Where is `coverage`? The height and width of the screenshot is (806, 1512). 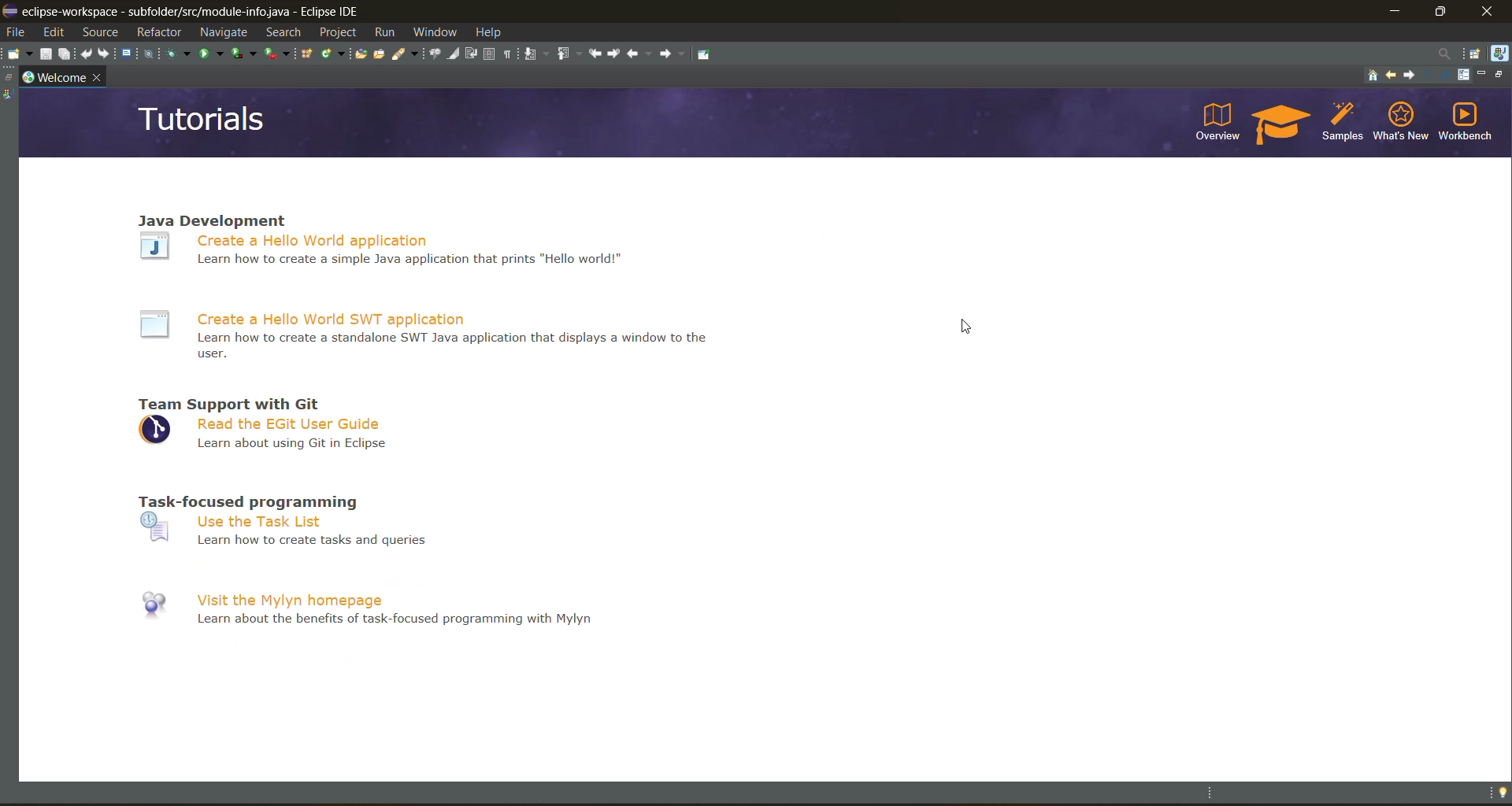
coverage is located at coordinates (244, 53).